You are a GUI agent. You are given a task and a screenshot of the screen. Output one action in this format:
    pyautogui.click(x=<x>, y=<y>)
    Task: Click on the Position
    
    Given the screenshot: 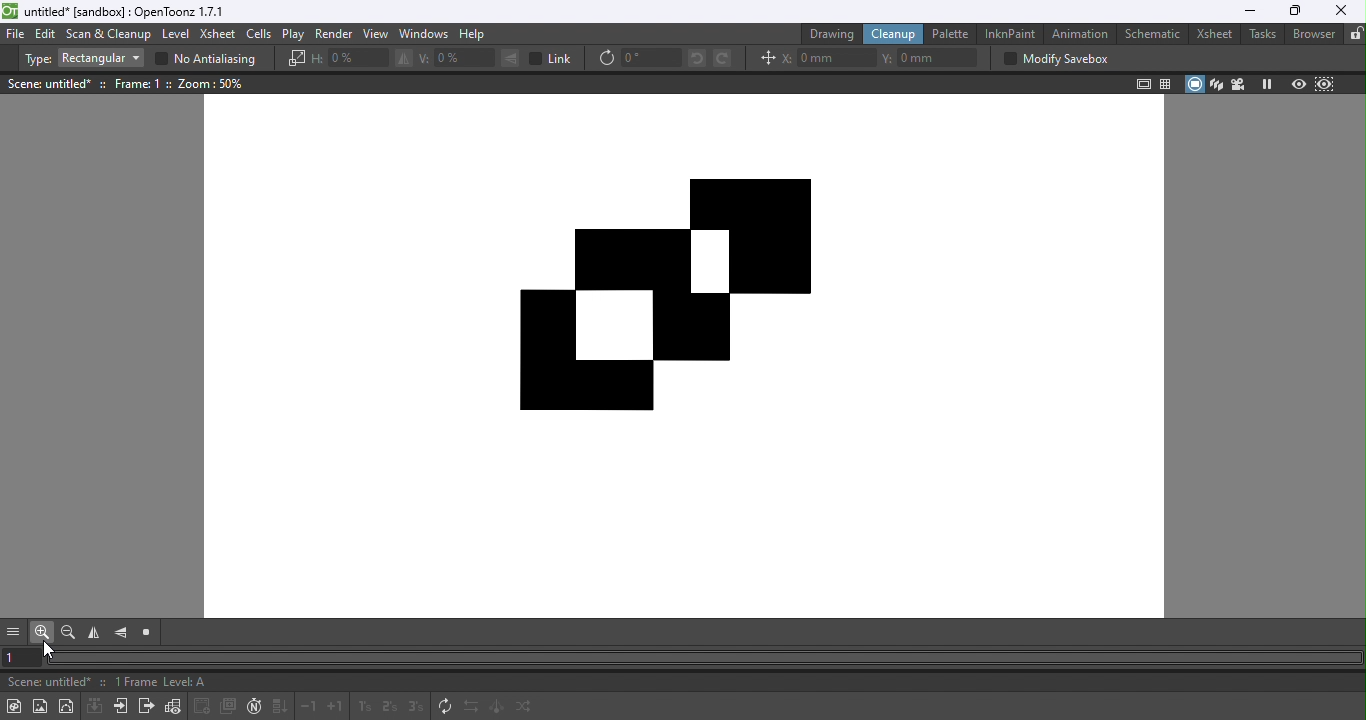 What is the action you would take?
    pyautogui.click(x=765, y=57)
    